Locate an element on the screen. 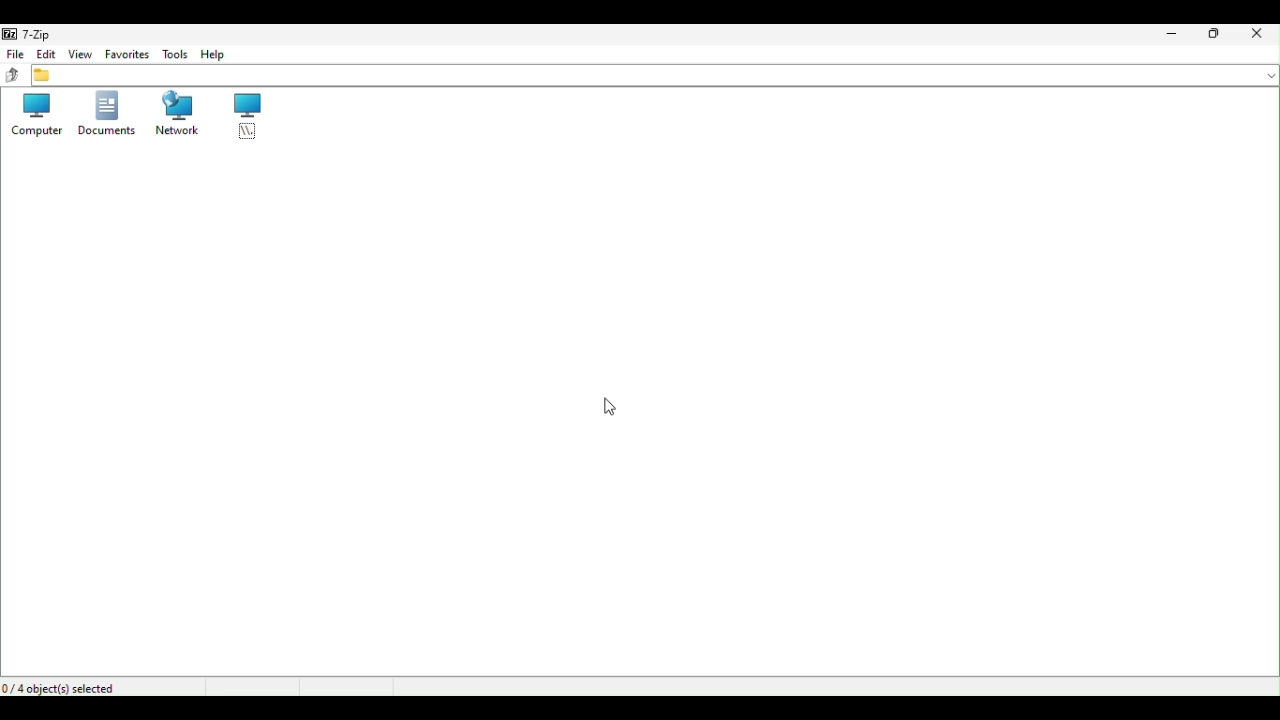 This screenshot has width=1280, height=720. File address bar is located at coordinates (655, 75).